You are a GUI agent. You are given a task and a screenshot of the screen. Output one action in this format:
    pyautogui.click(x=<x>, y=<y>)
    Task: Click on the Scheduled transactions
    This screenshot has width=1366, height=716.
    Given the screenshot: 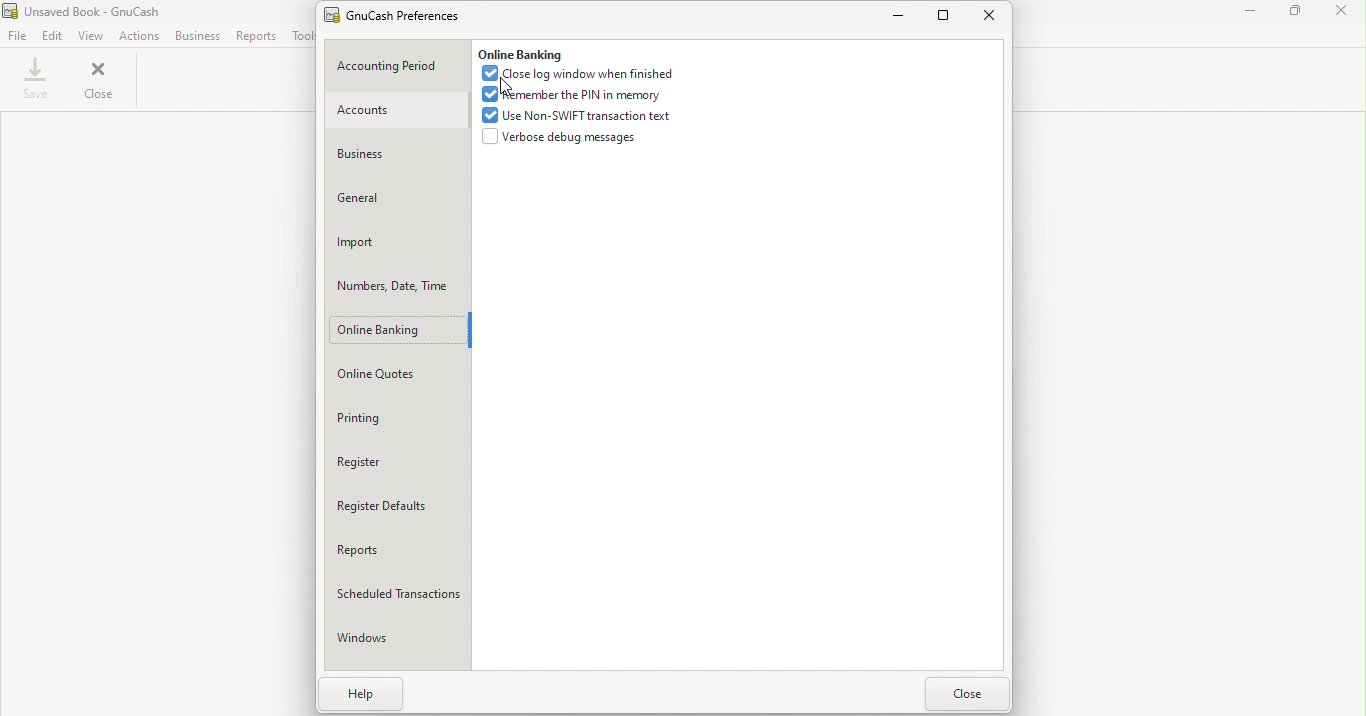 What is the action you would take?
    pyautogui.click(x=400, y=594)
    